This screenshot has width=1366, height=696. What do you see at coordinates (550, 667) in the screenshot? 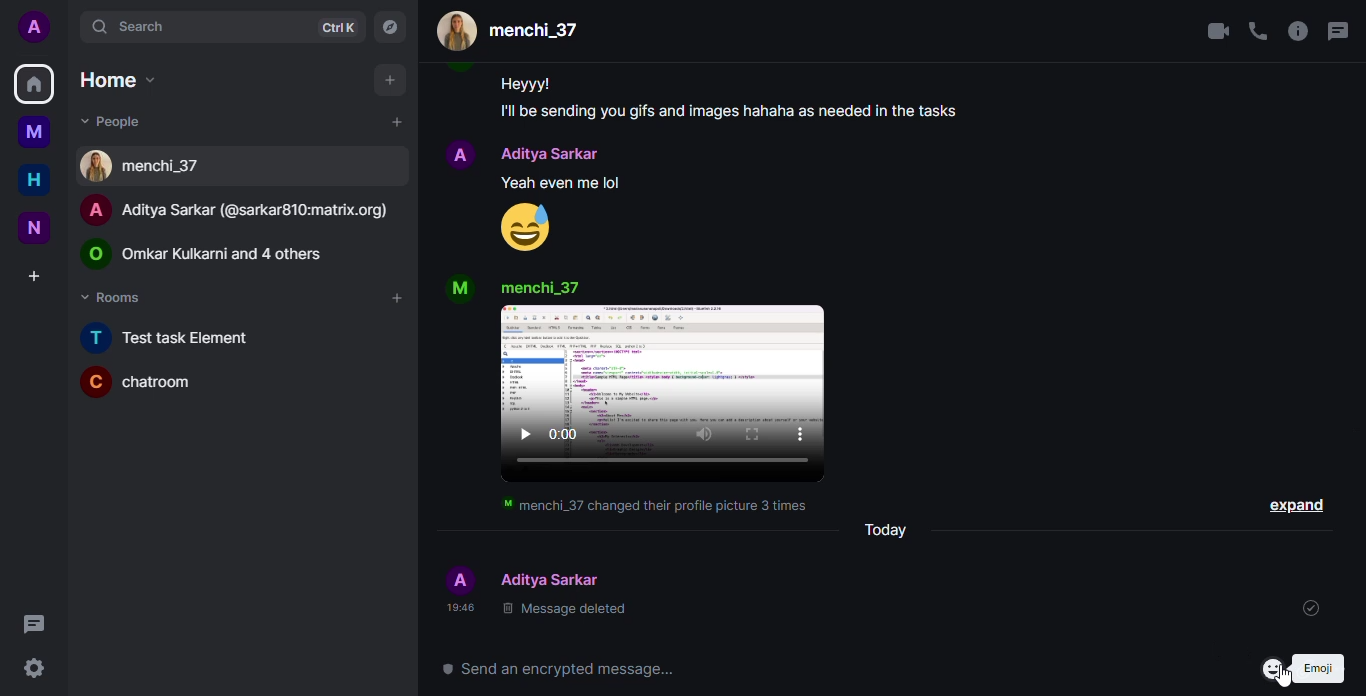
I see `send an encrypted message` at bounding box center [550, 667].